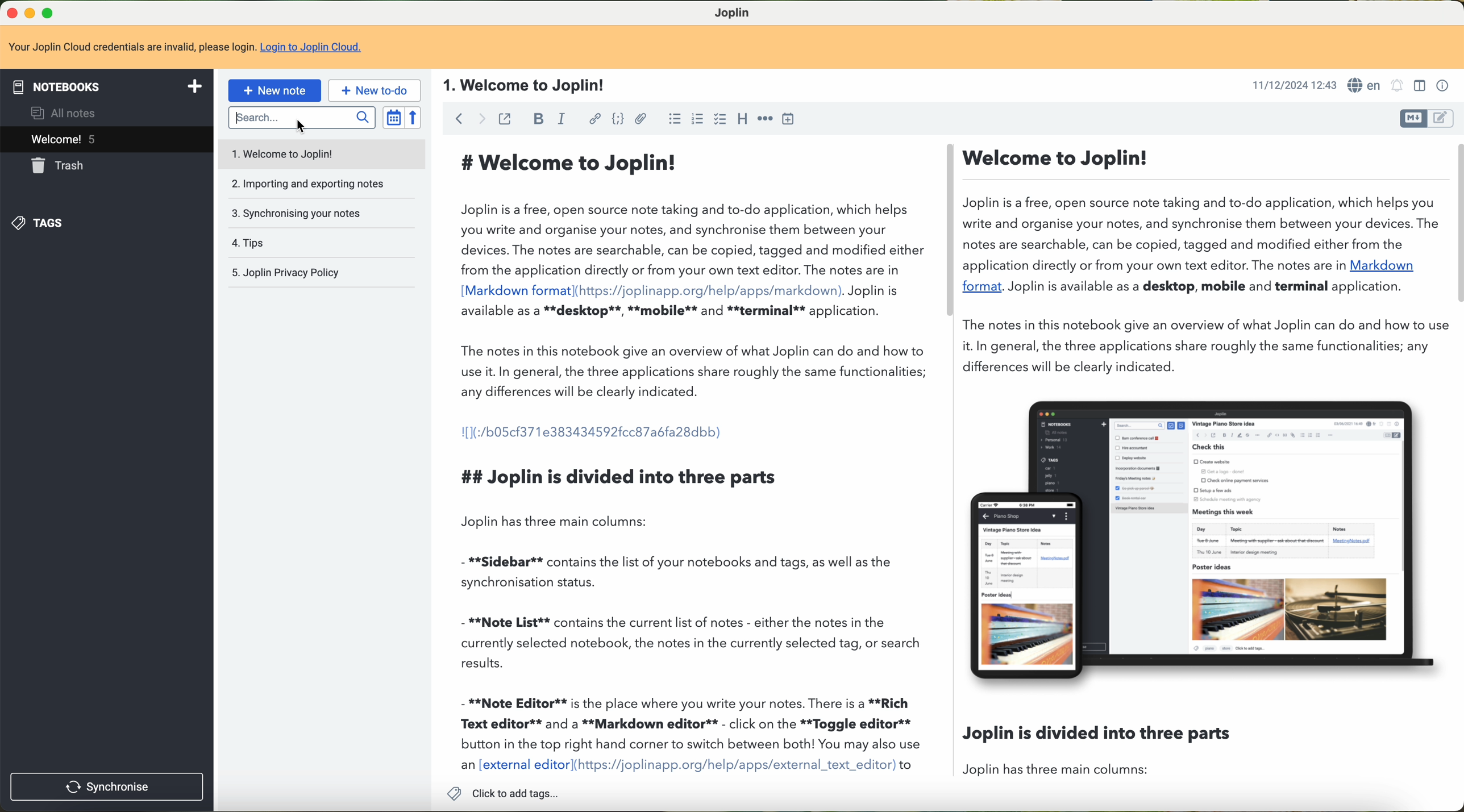 This screenshot has height=812, width=1464. What do you see at coordinates (108, 785) in the screenshot?
I see `synchronise` at bounding box center [108, 785].